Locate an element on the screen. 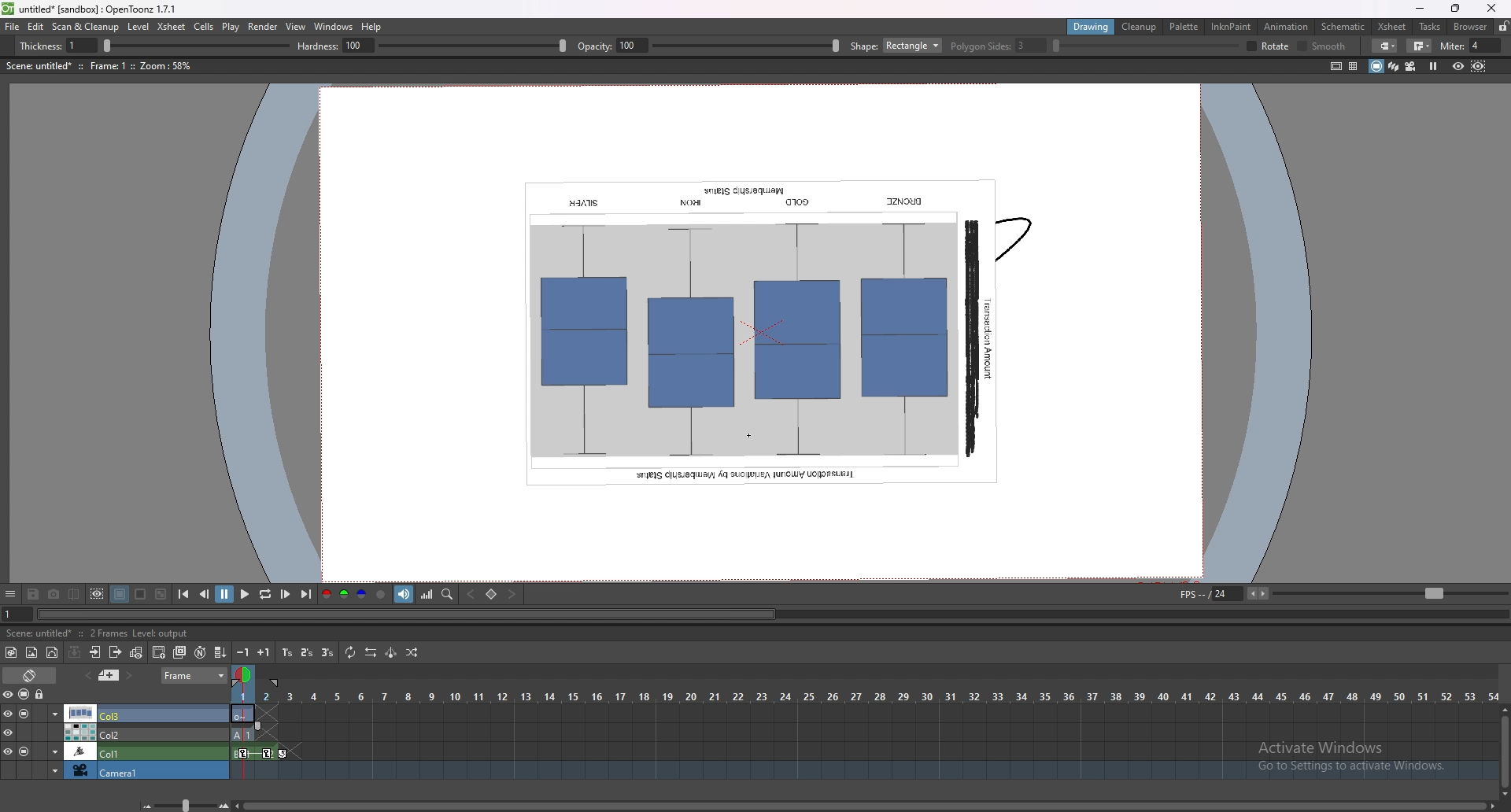 The height and width of the screenshot is (812, 1511). column 3 is located at coordinates (149, 714).